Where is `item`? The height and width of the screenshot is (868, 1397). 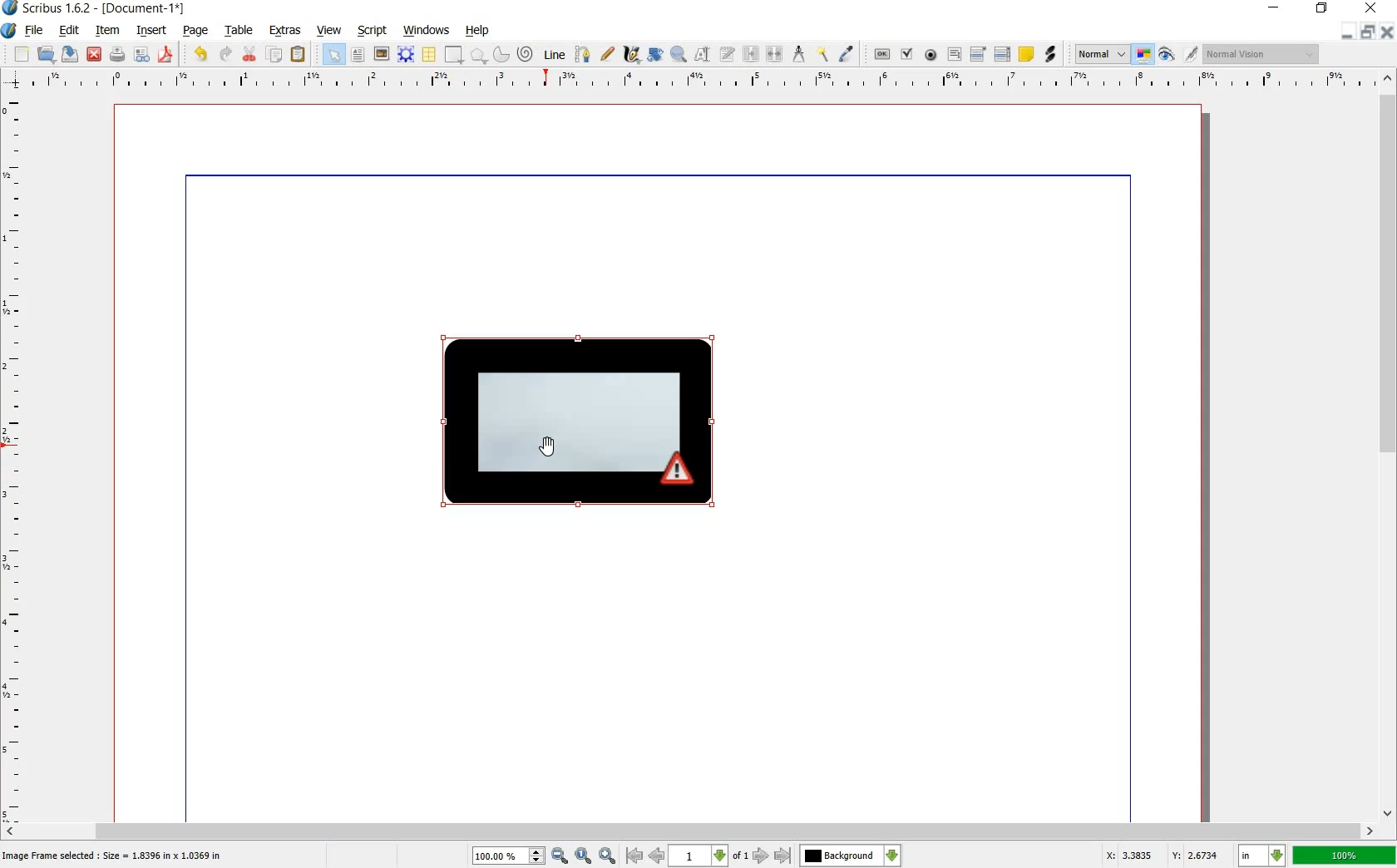
item is located at coordinates (105, 30).